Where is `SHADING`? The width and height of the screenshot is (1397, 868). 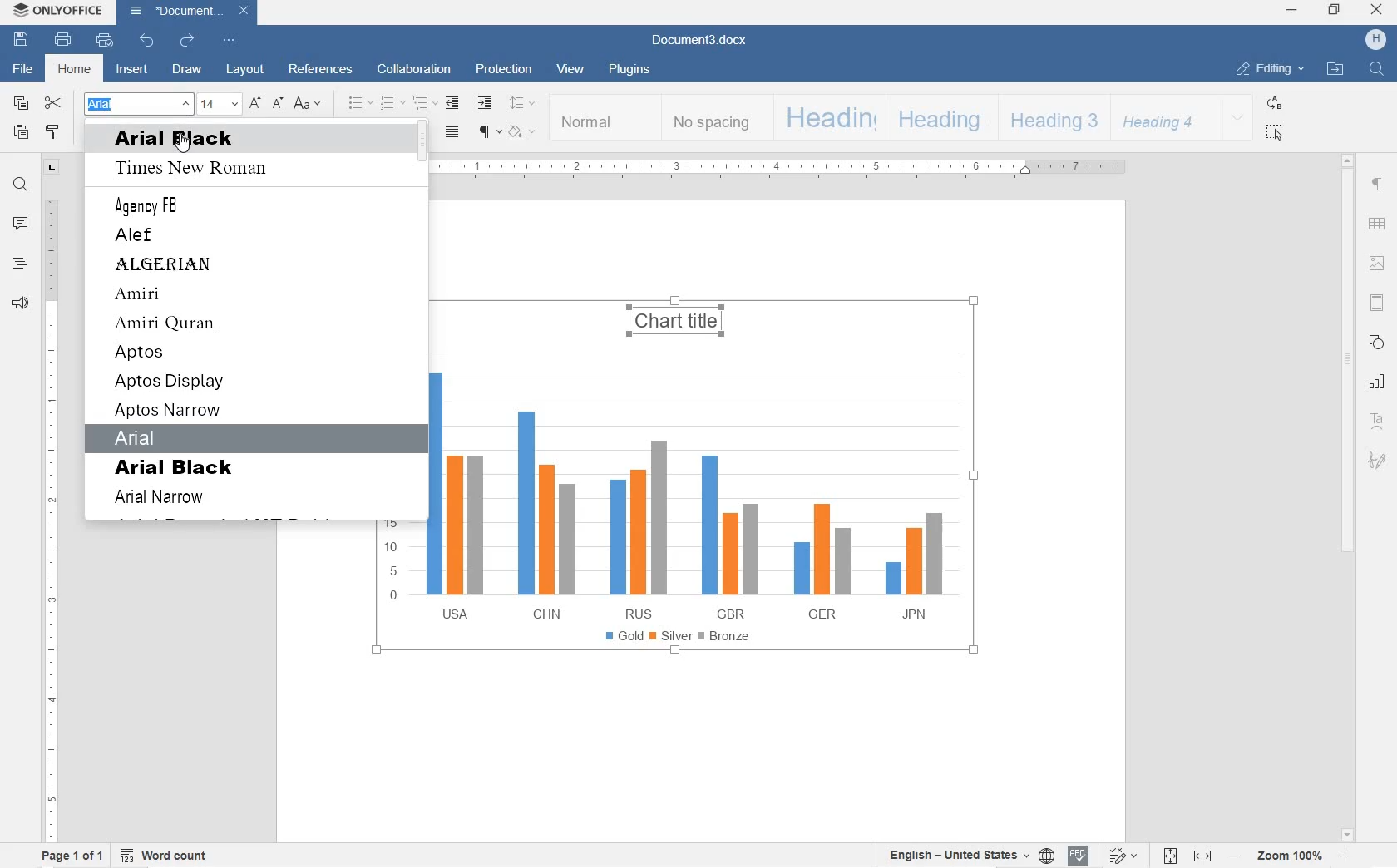 SHADING is located at coordinates (523, 131).